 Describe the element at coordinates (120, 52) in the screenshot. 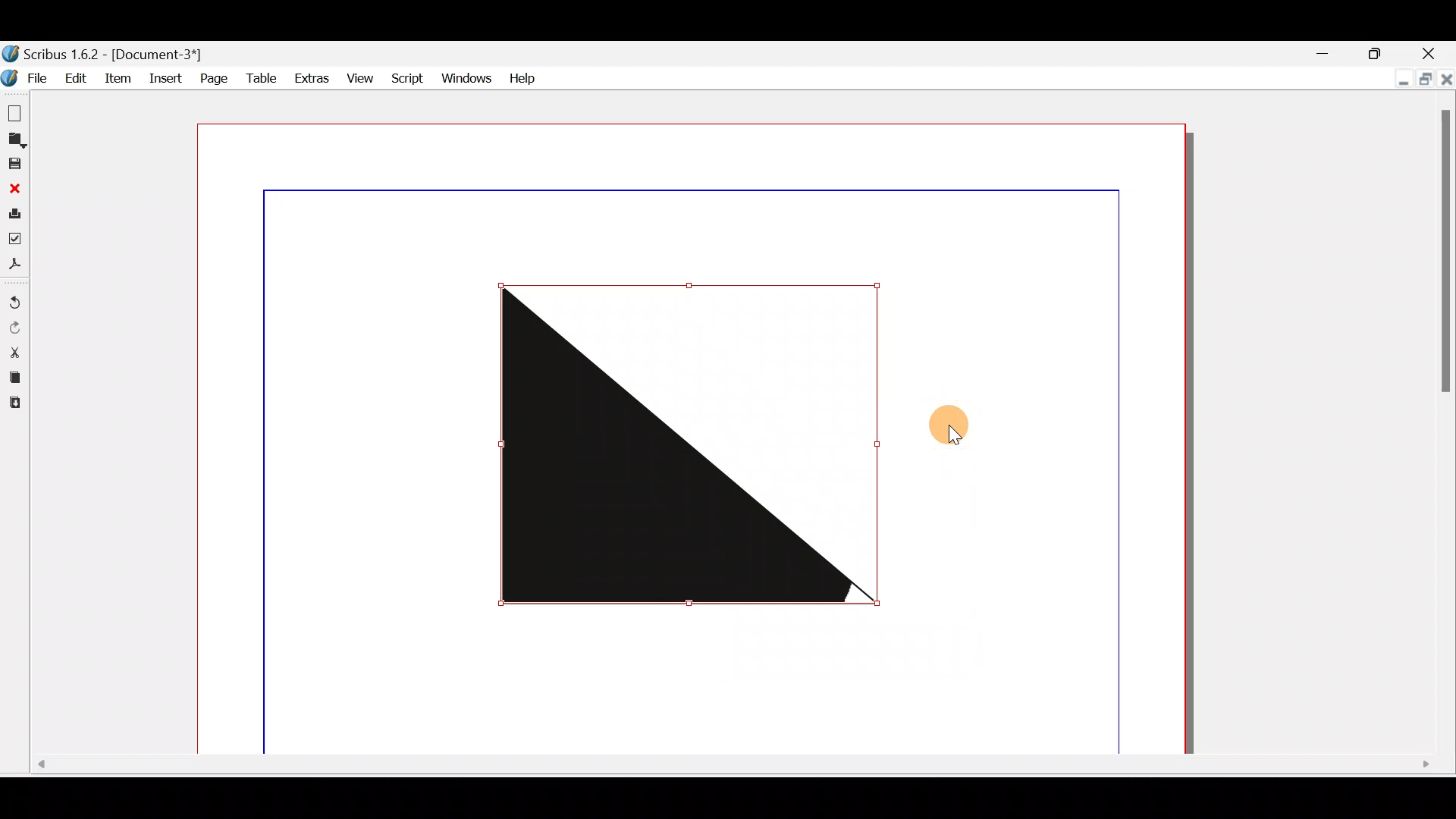

I see `Document name` at that location.